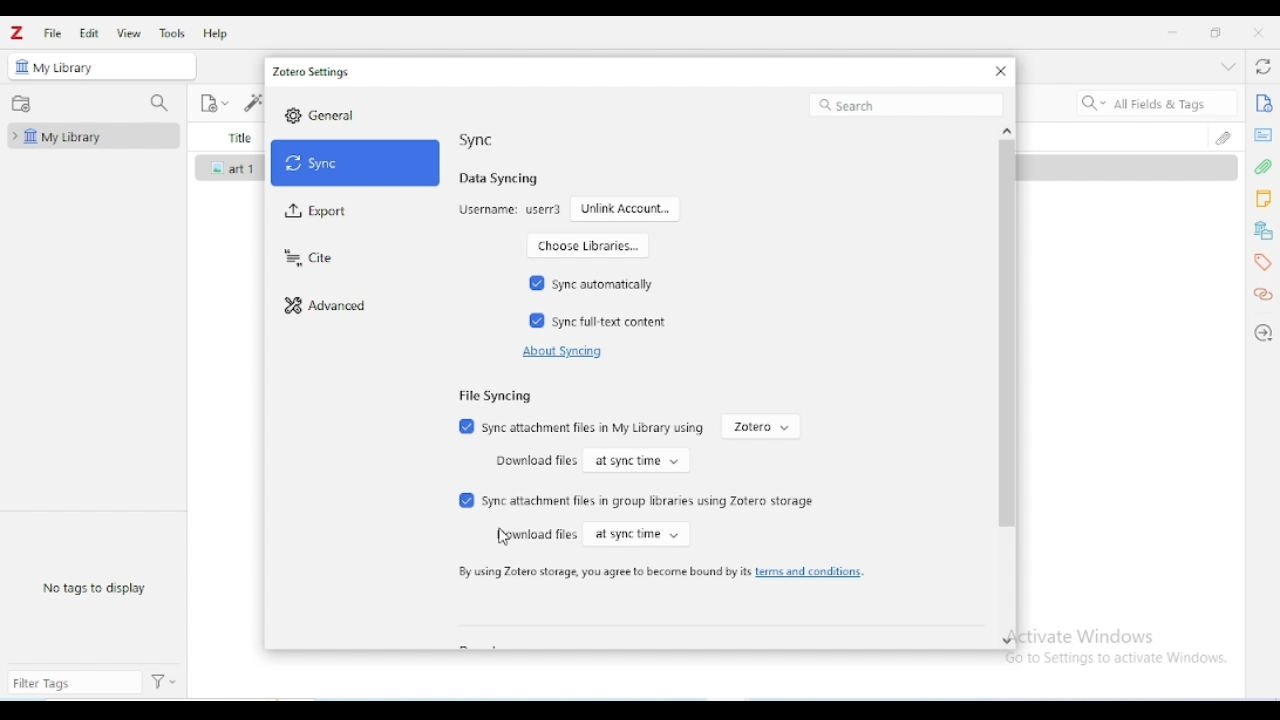 Image resolution: width=1280 pixels, height=720 pixels. I want to click on new collection, so click(21, 104).